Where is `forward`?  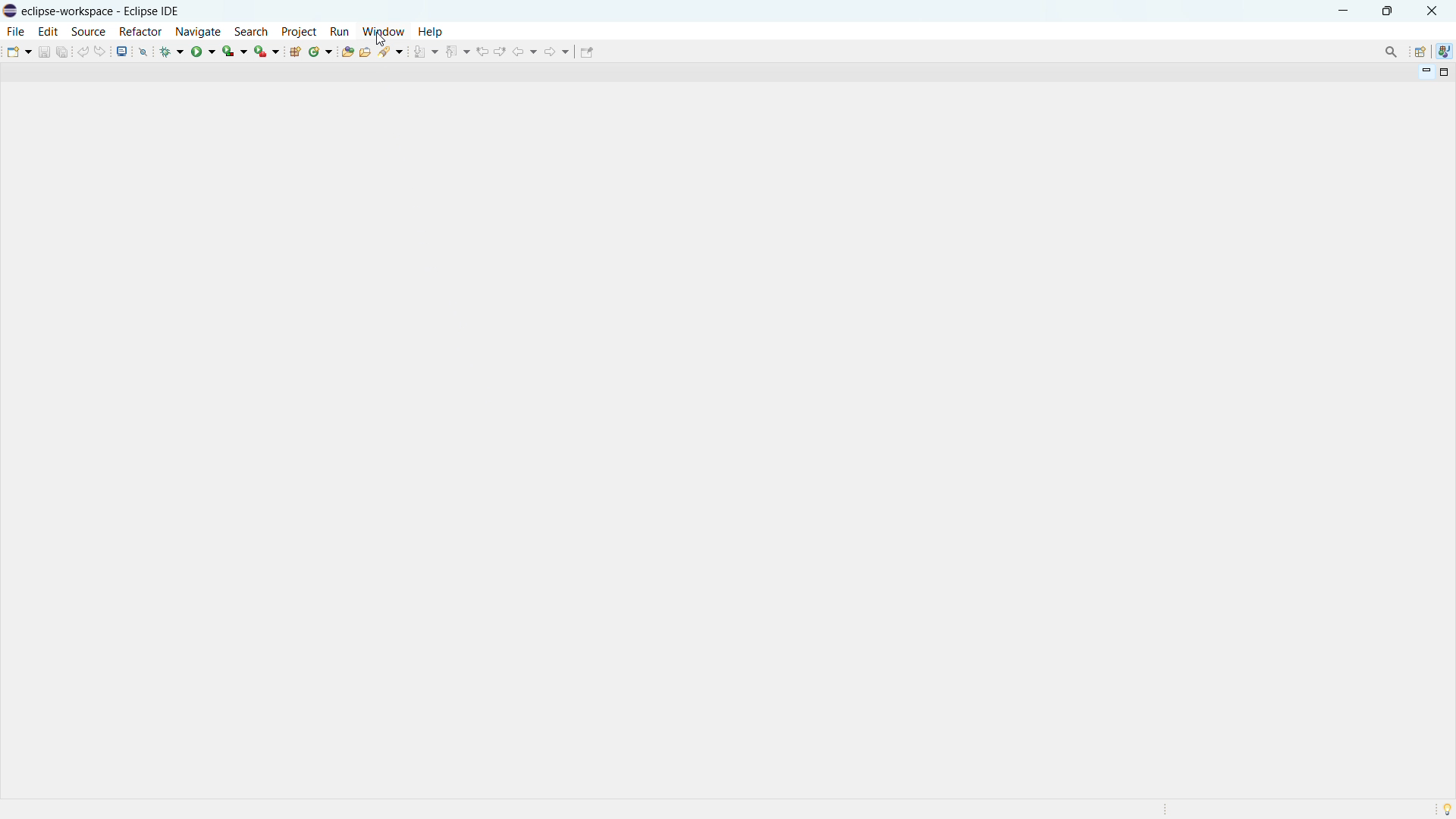
forward is located at coordinates (557, 51).